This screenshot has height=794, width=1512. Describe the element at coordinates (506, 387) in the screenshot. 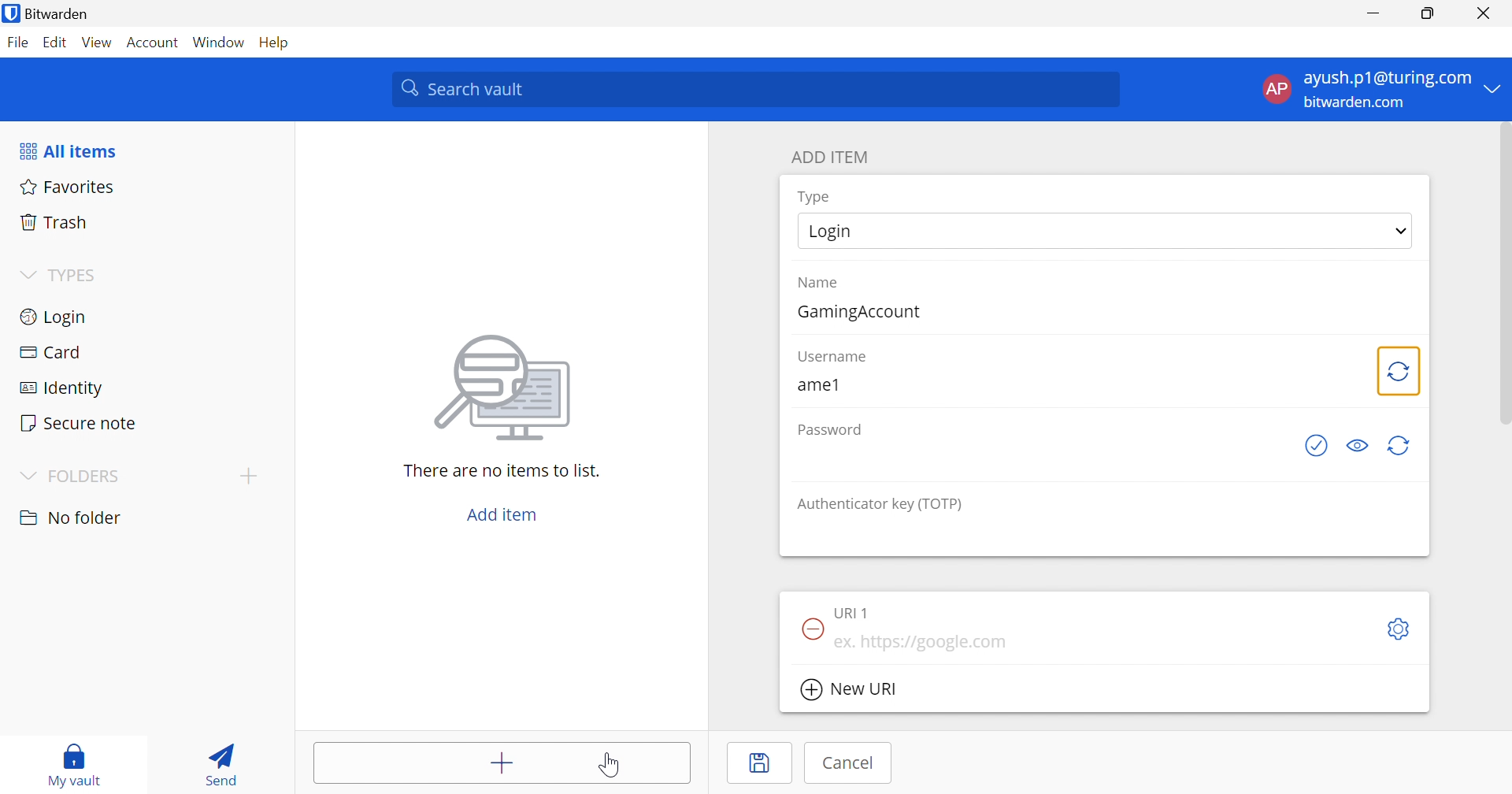

I see `Image` at that location.